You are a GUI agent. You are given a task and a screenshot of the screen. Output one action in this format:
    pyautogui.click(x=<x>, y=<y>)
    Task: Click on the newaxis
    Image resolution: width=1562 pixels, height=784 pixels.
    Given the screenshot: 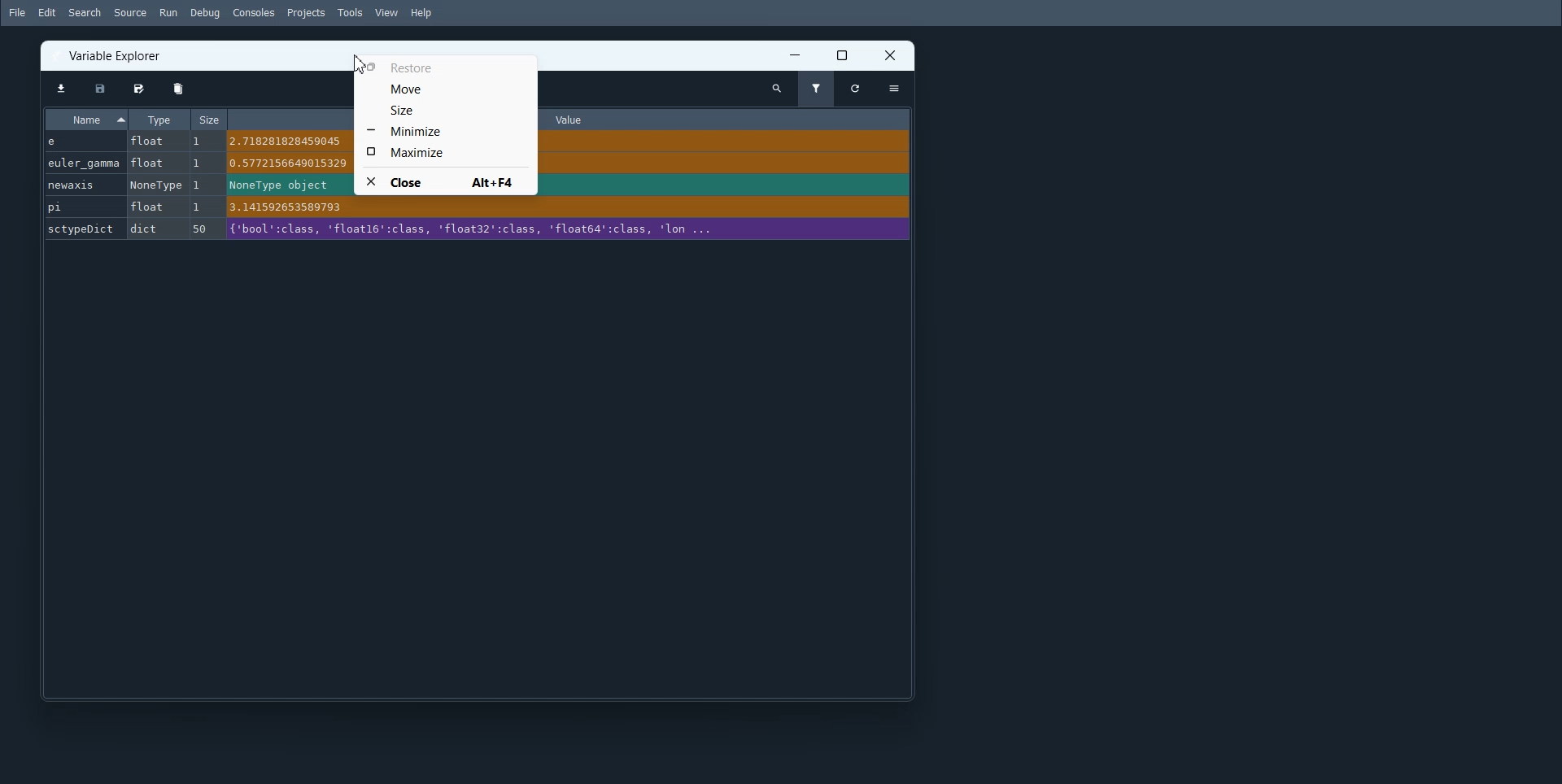 What is the action you would take?
    pyautogui.click(x=83, y=184)
    